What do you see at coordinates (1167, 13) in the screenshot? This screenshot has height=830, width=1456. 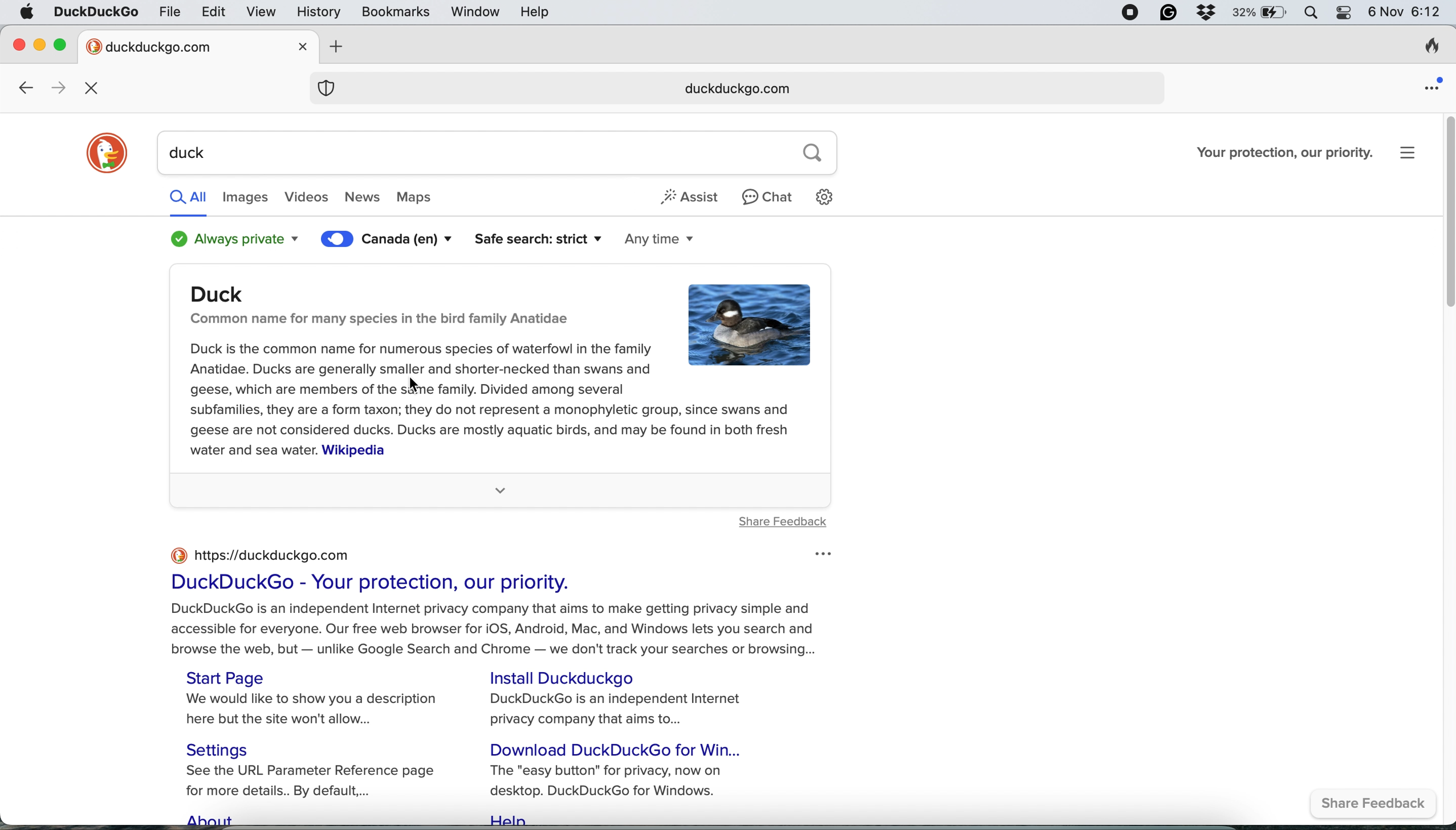 I see `grammarly` at bounding box center [1167, 13].